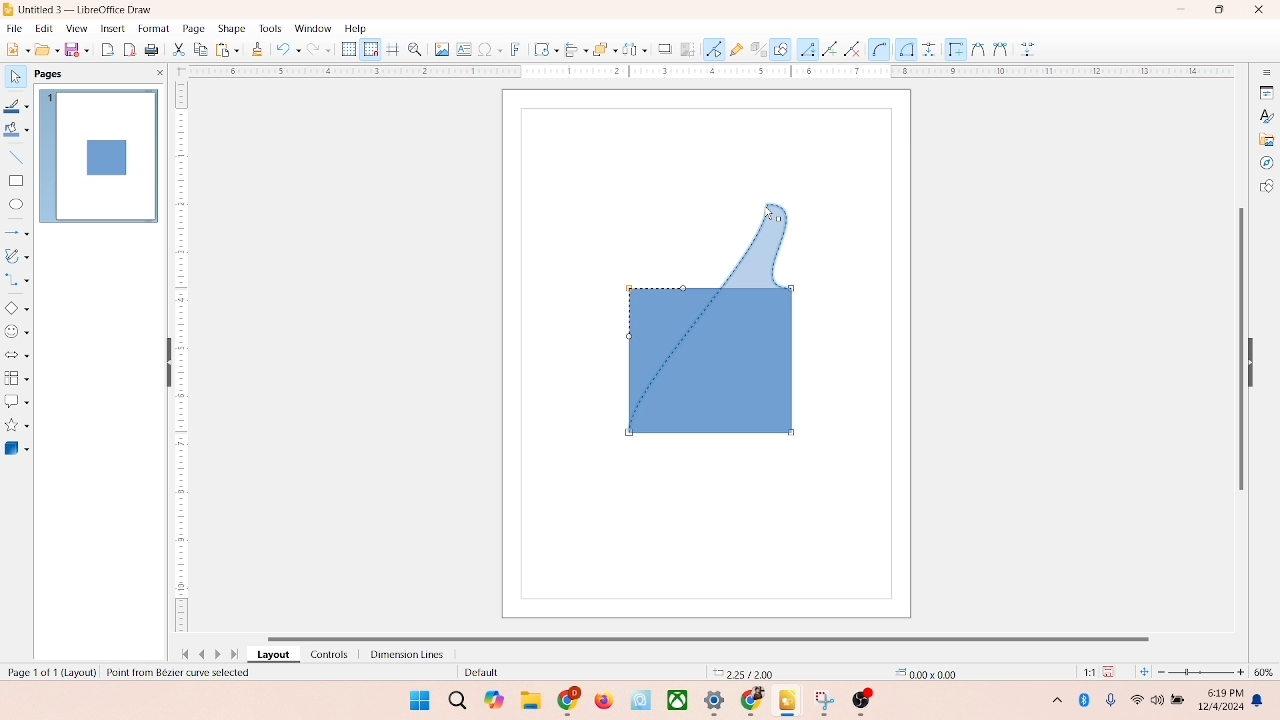 The width and height of the screenshot is (1280, 720). What do you see at coordinates (288, 51) in the screenshot?
I see `undo` at bounding box center [288, 51].